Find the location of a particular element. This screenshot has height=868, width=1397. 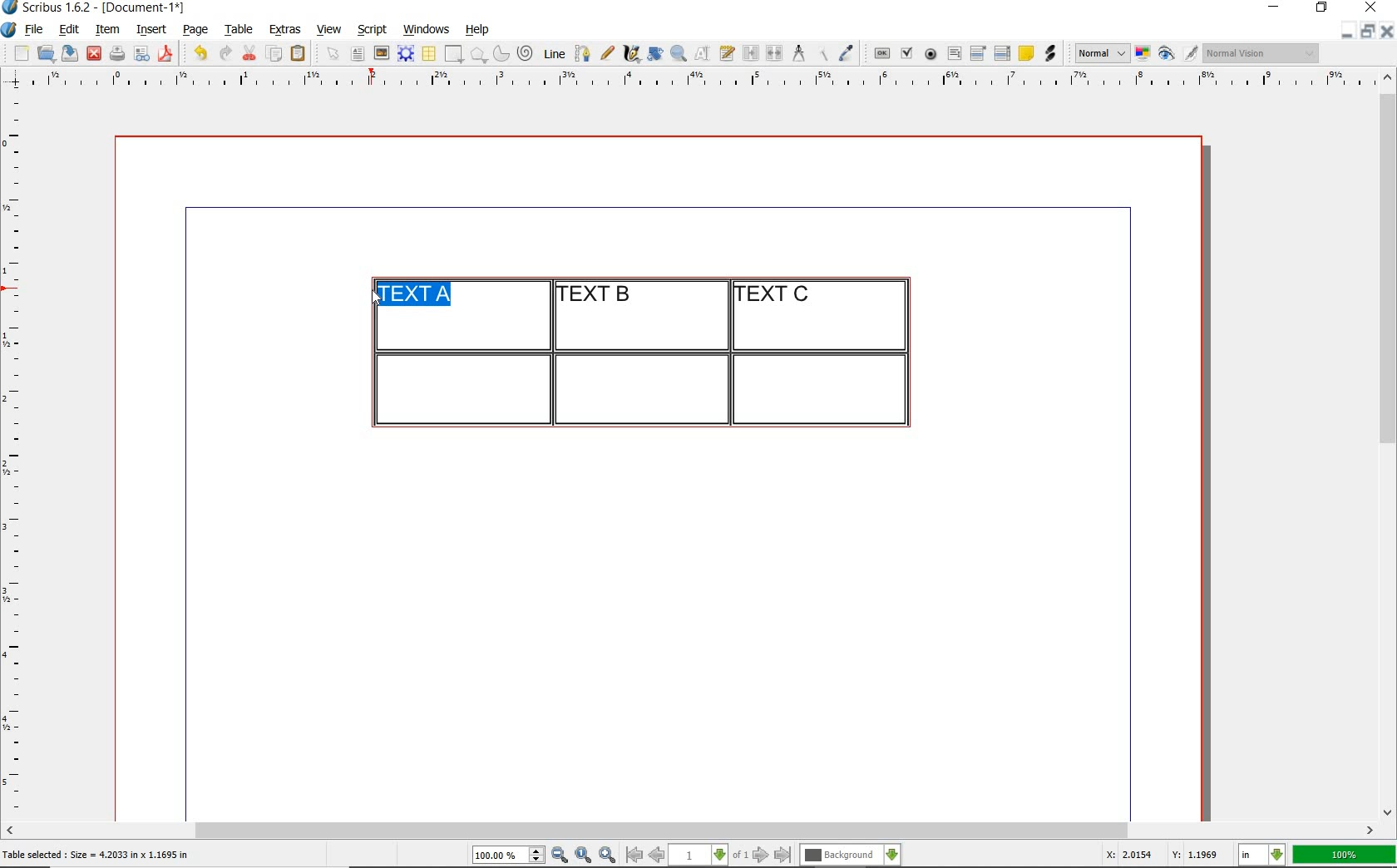

image frame is located at coordinates (383, 53).